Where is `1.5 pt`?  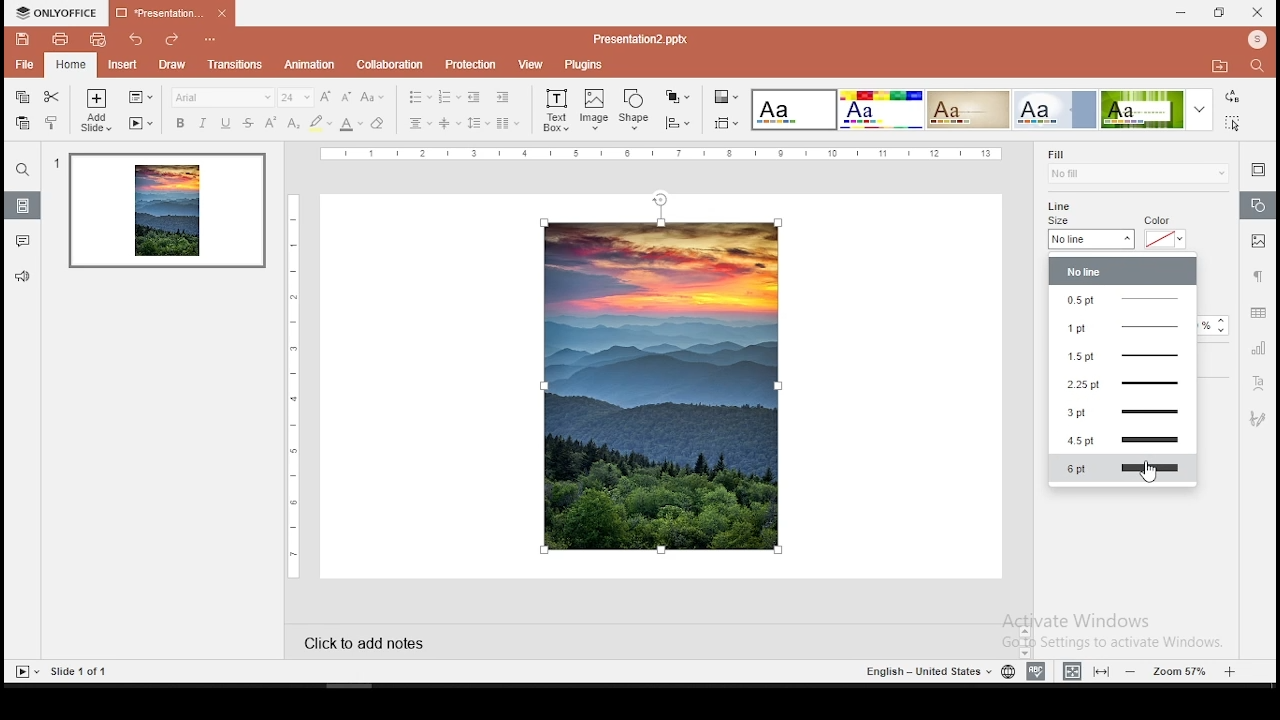
1.5 pt is located at coordinates (1123, 354).